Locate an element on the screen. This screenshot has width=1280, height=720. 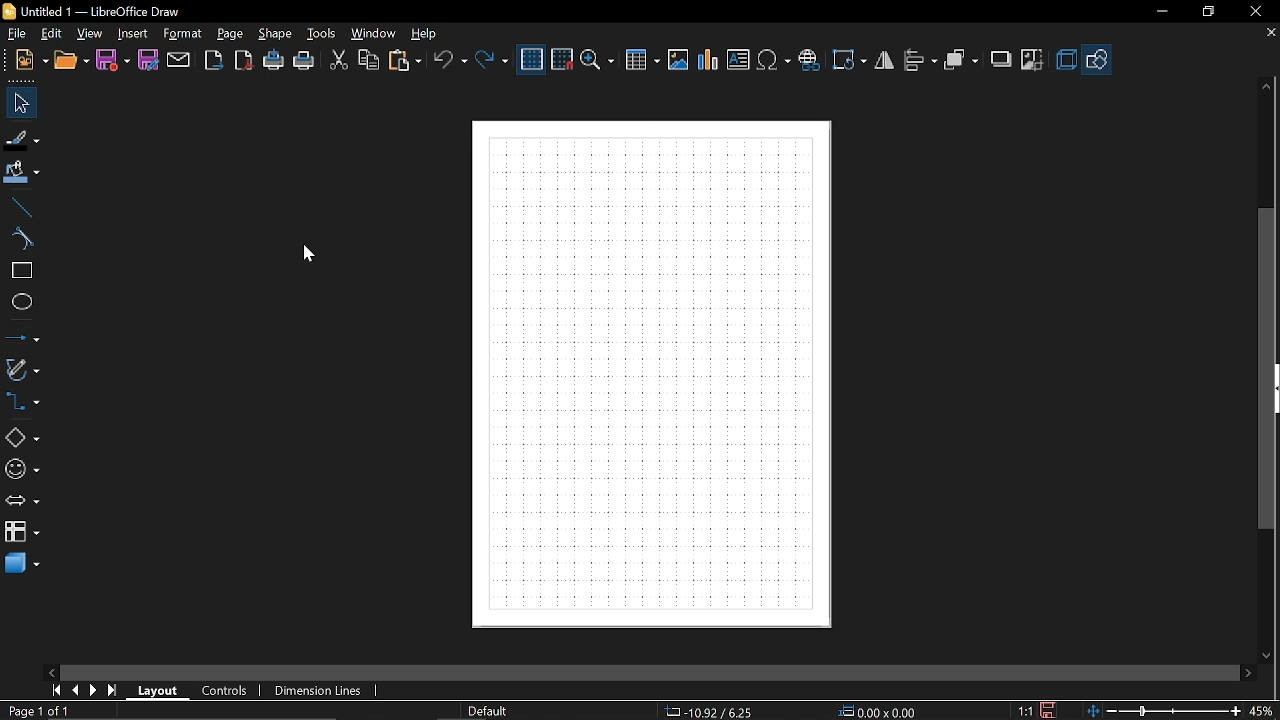
crop is located at coordinates (1031, 58).